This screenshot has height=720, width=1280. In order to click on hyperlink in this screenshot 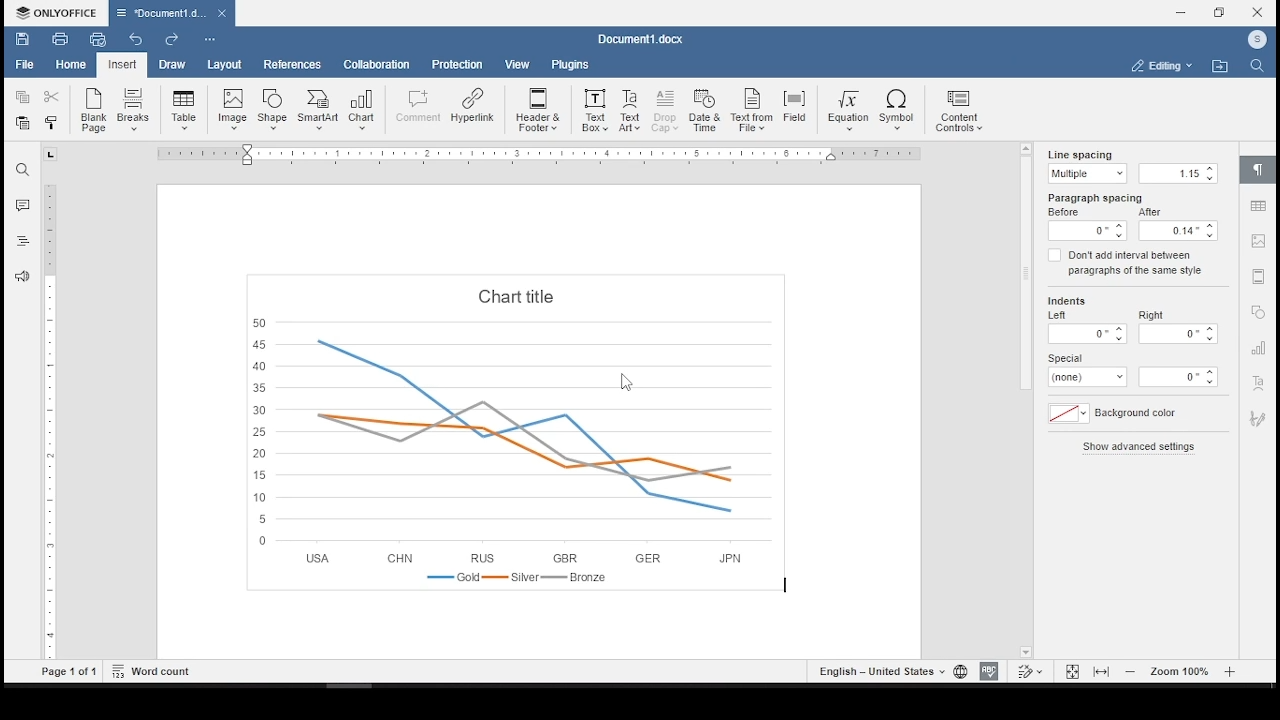, I will do `click(472, 108)`.